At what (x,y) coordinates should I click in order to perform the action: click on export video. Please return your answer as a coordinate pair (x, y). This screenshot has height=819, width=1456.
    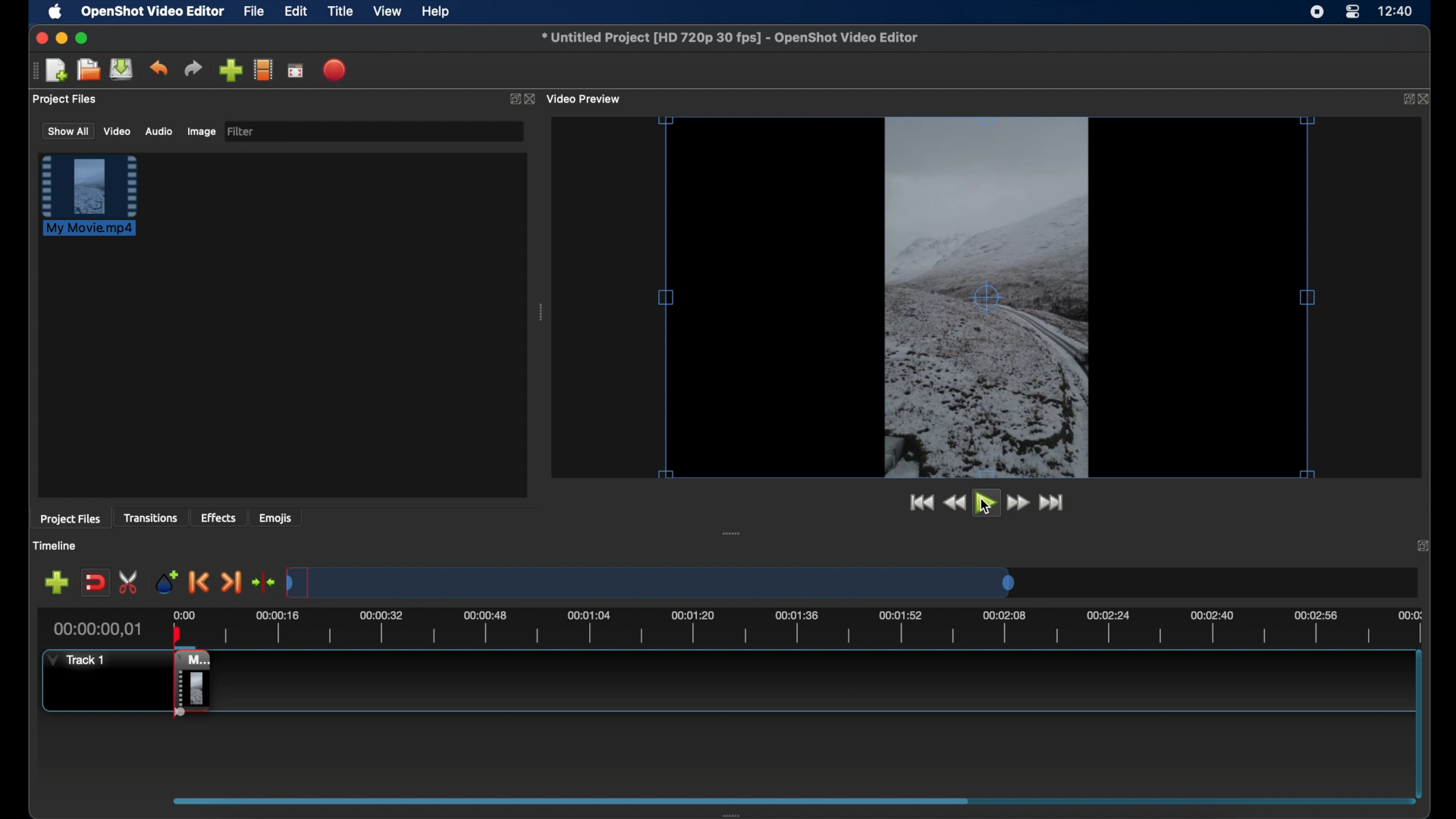
    Looking at the image, I should click on (336, 70).